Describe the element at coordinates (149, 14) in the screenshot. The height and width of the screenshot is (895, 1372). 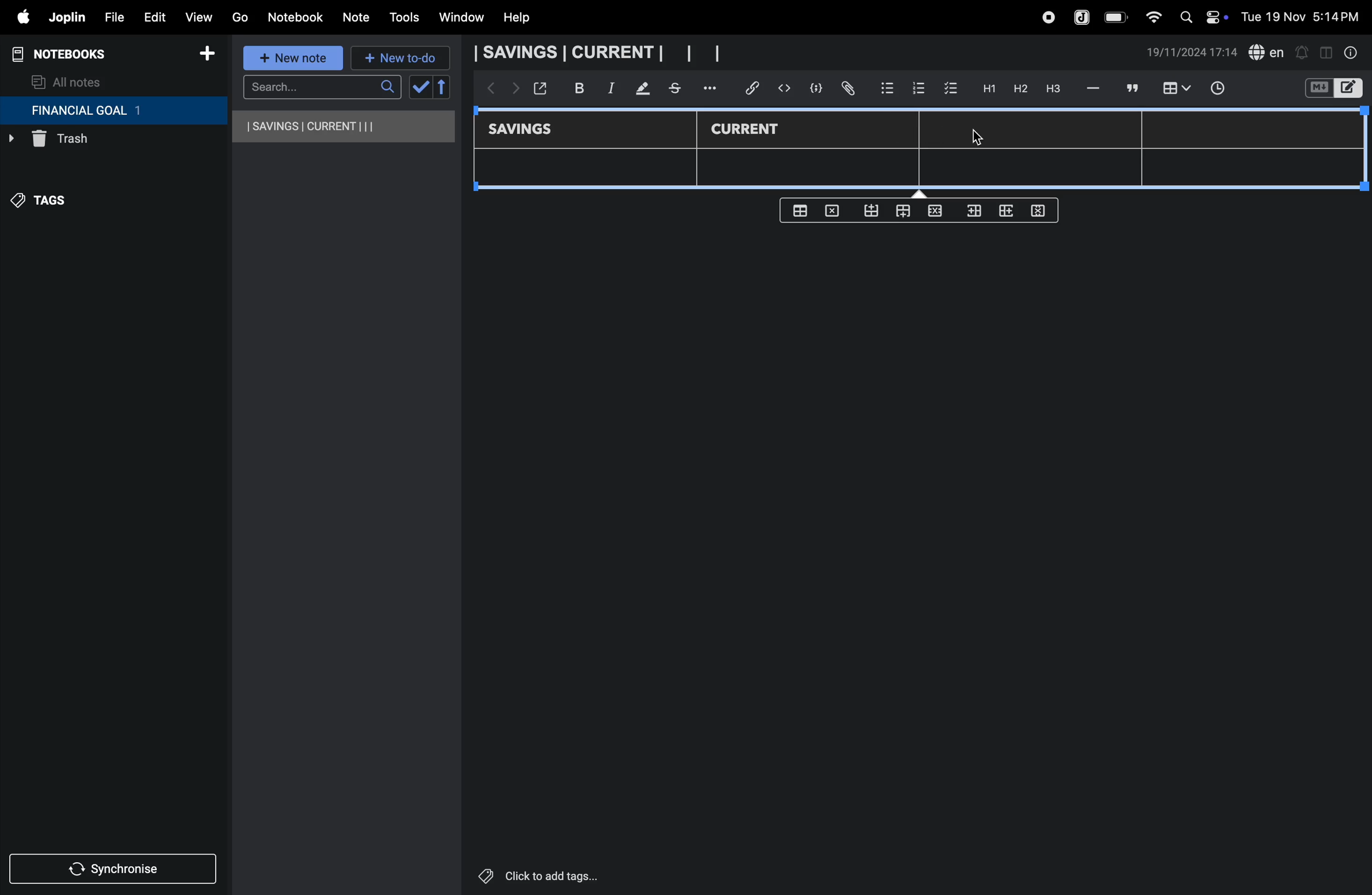
I see `edit` at that location.